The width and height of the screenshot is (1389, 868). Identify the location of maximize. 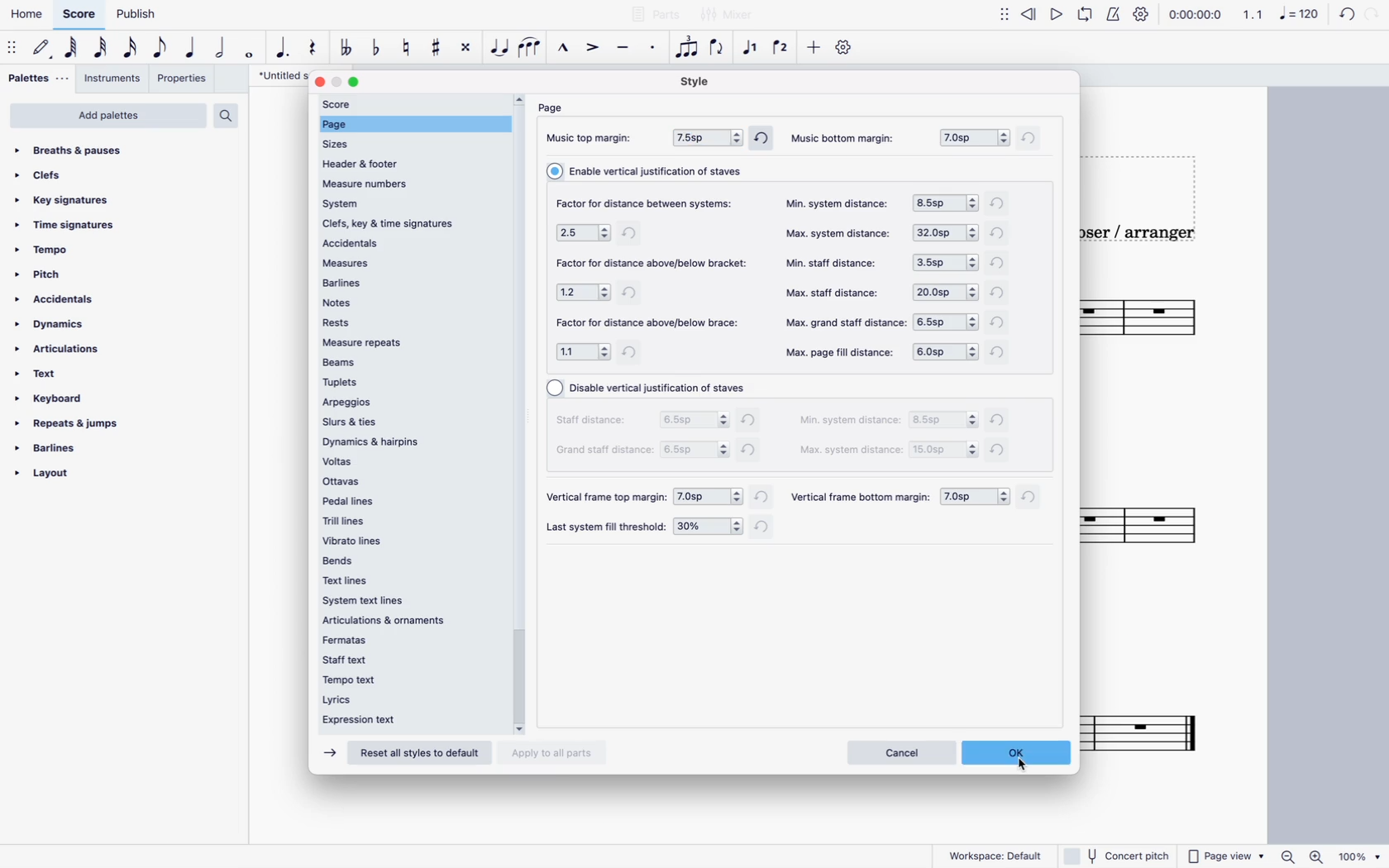
(358, 83).